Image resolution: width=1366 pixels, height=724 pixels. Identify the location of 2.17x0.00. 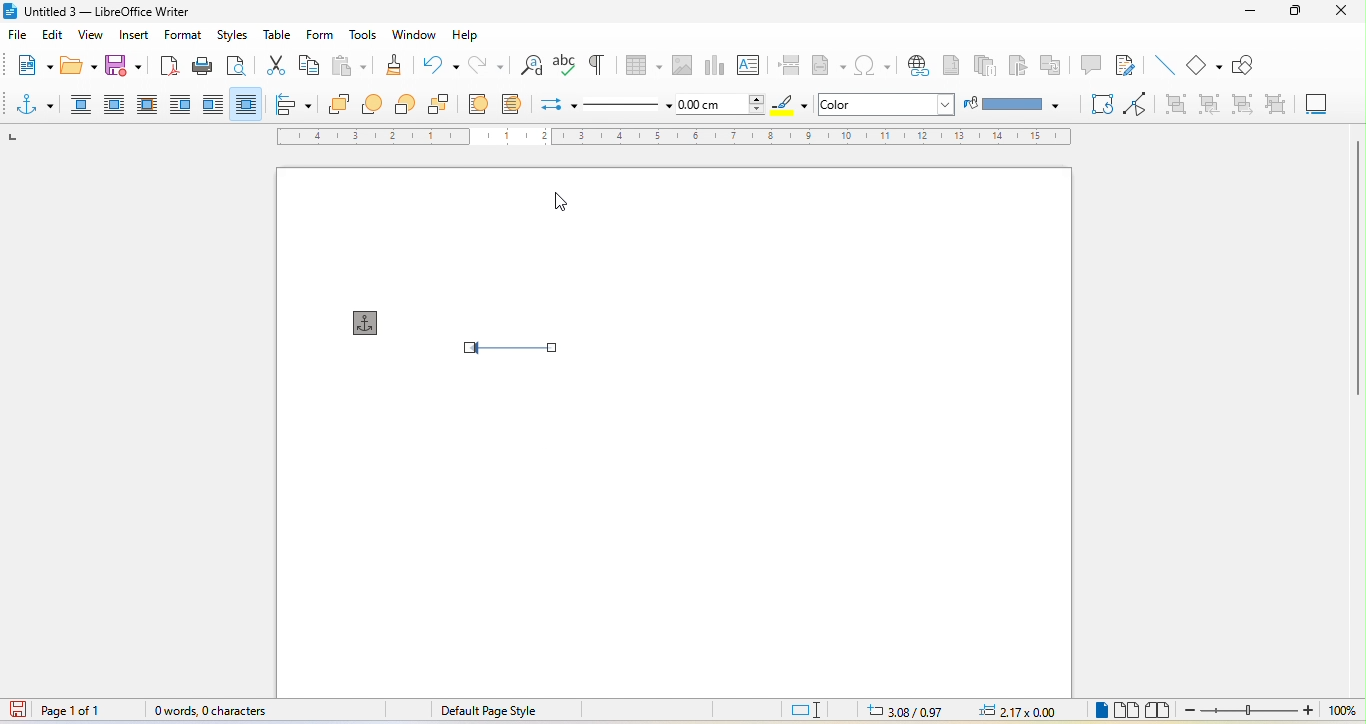
(1014, 712).